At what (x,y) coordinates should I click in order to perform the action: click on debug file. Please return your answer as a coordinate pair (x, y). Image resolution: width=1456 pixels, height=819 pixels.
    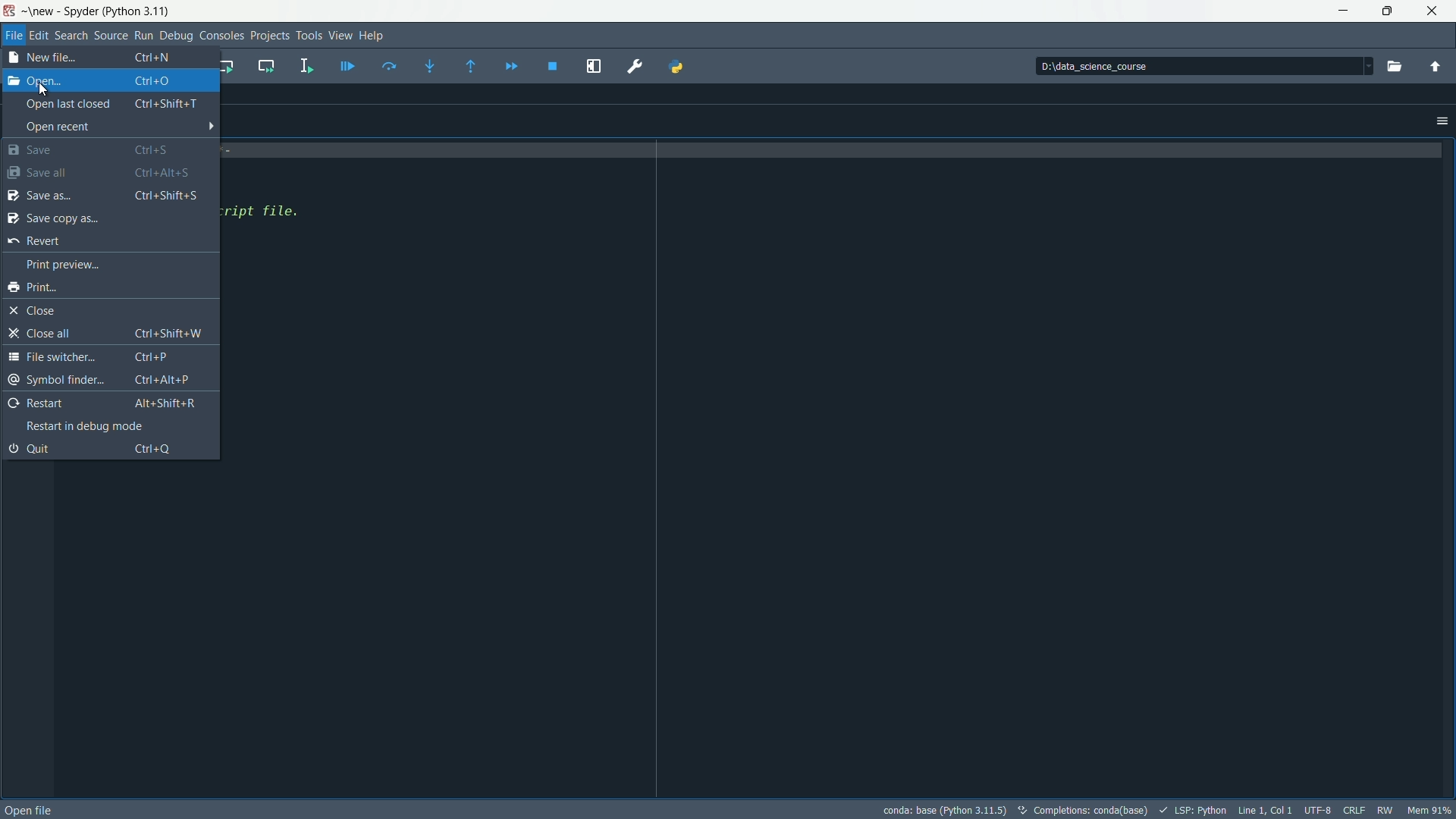
    Looking at the image, I should click on (348, 67).